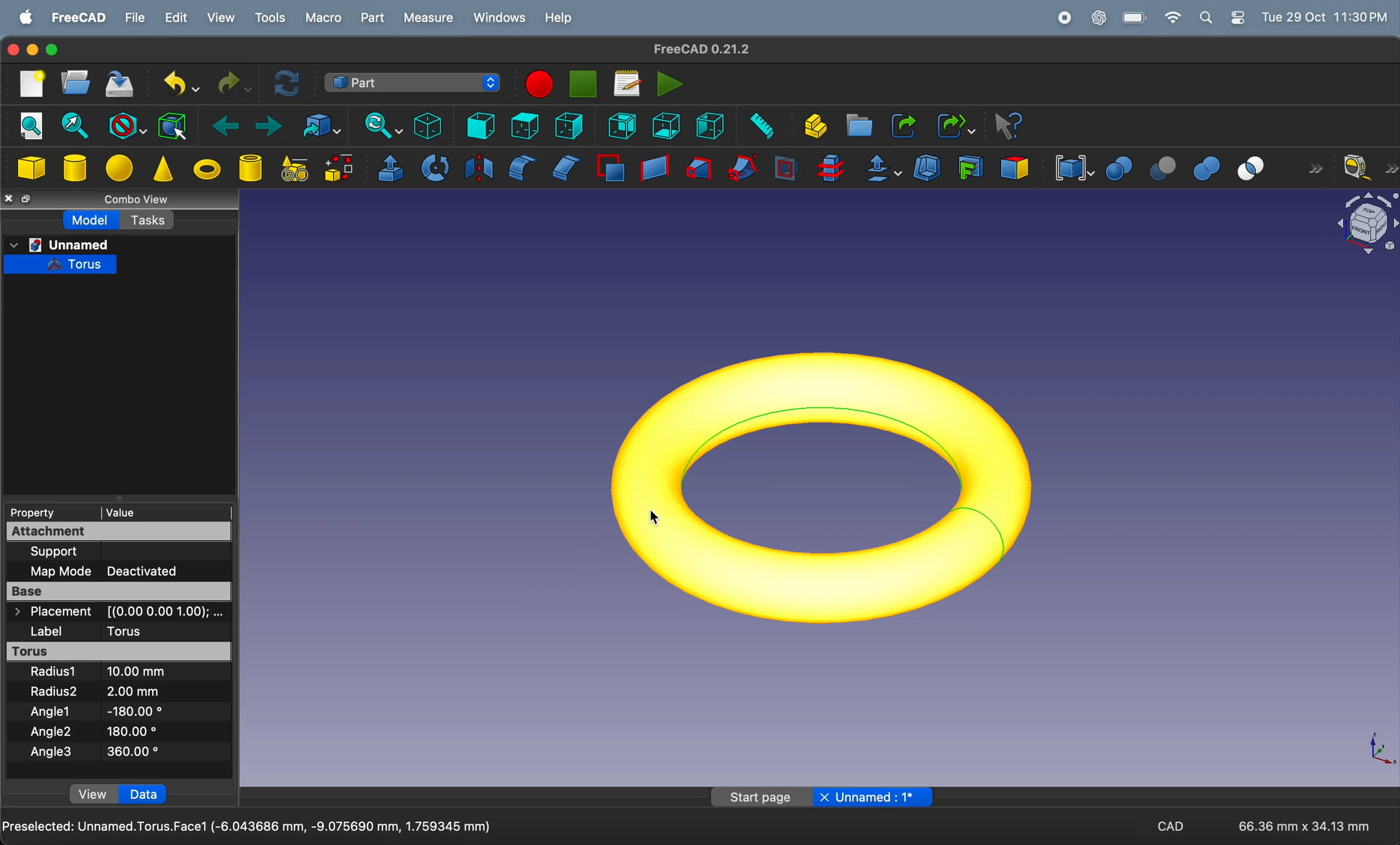  Describe the element at coordinates (758, 126) in the screenshot. I see `measure distance` at that location.